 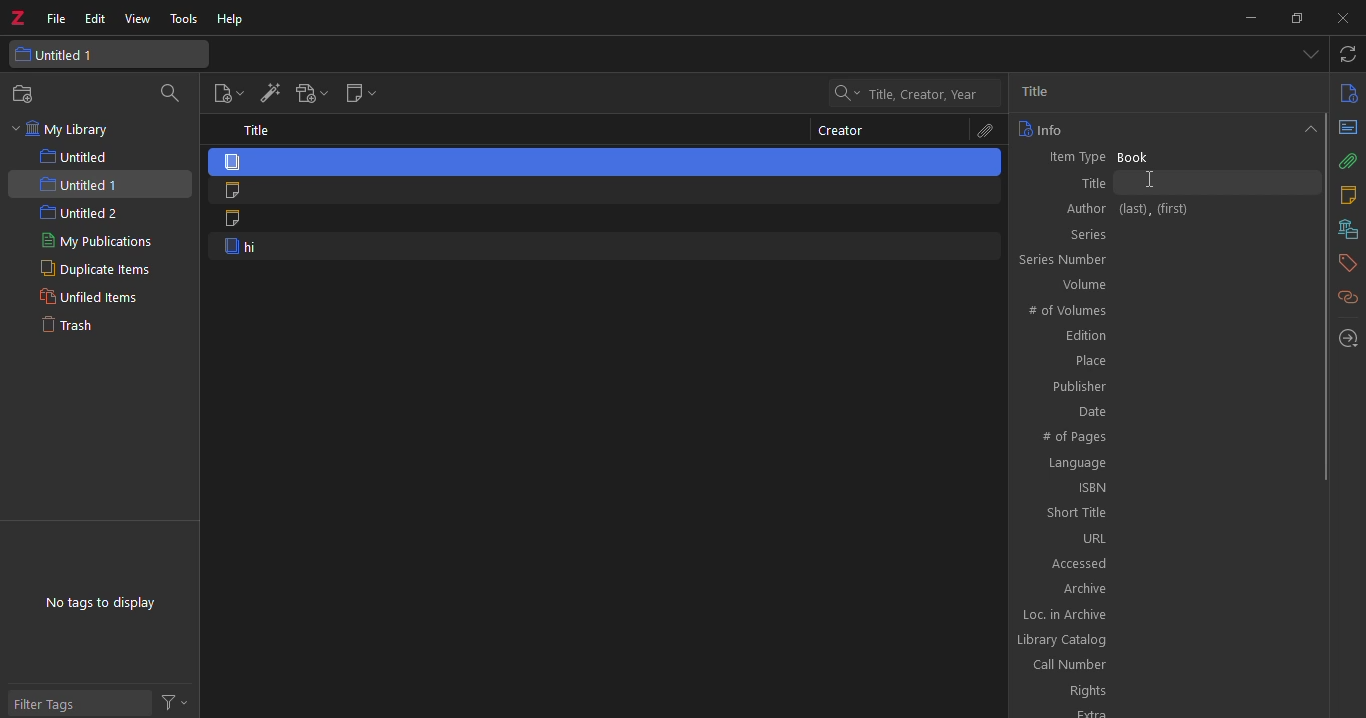 What do you see at coordinates (88, 271) in the screenshot?
I see `duplicate items` at bounding box center [88, 271].